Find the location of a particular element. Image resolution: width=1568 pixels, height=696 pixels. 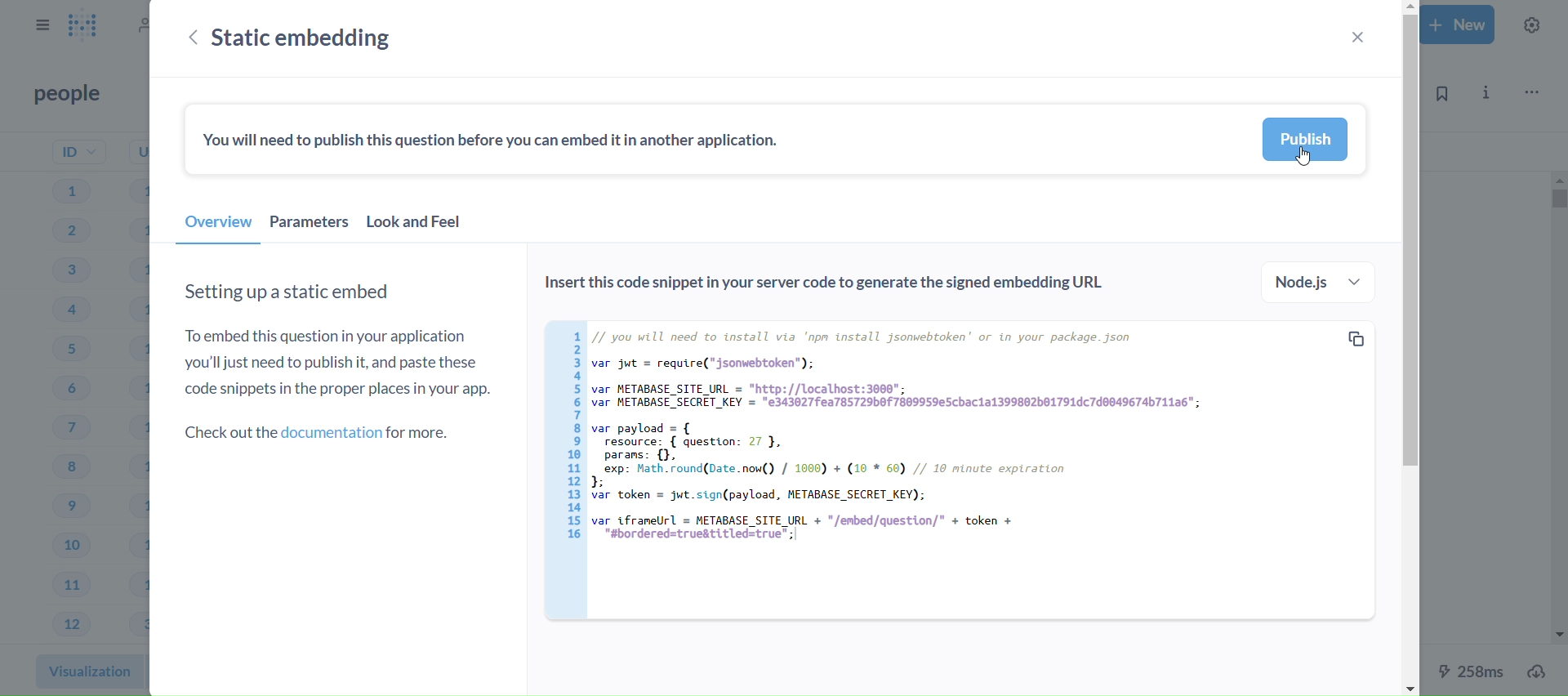

publish is located at coordinates (1307, 139).